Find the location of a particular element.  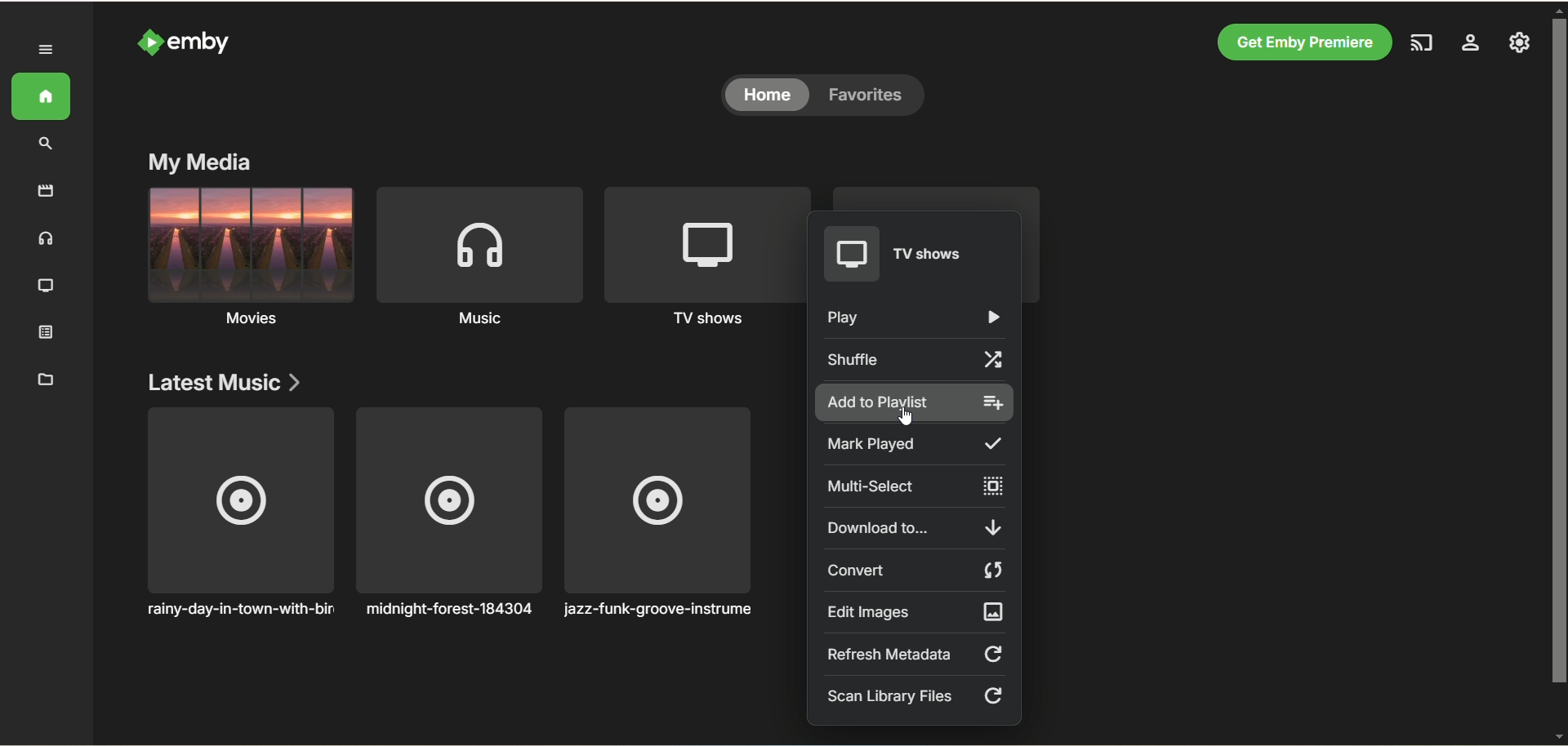

music is located at coordinates (47, 242).